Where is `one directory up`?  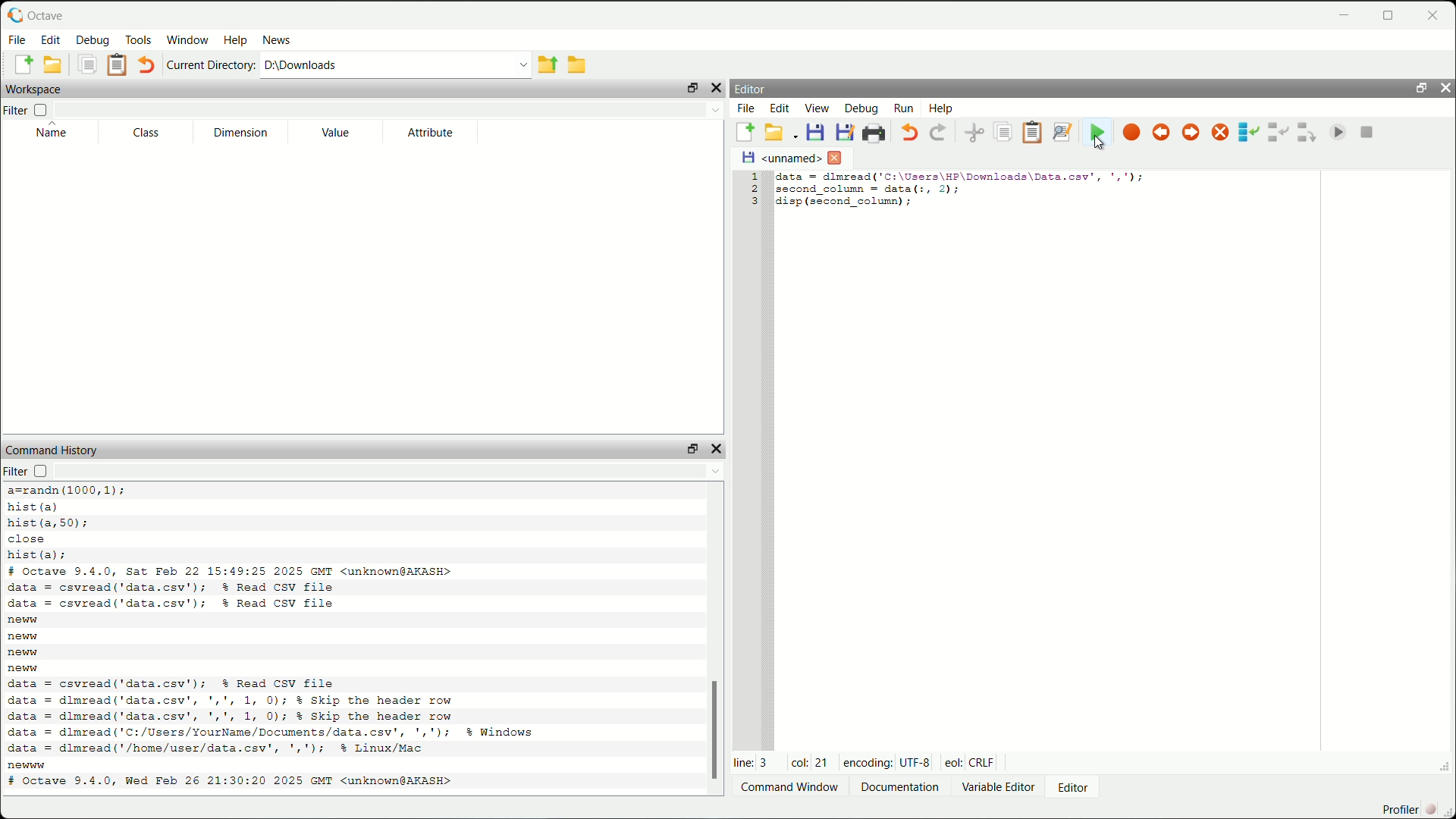
one directory up is located at coordinates (546, 65).